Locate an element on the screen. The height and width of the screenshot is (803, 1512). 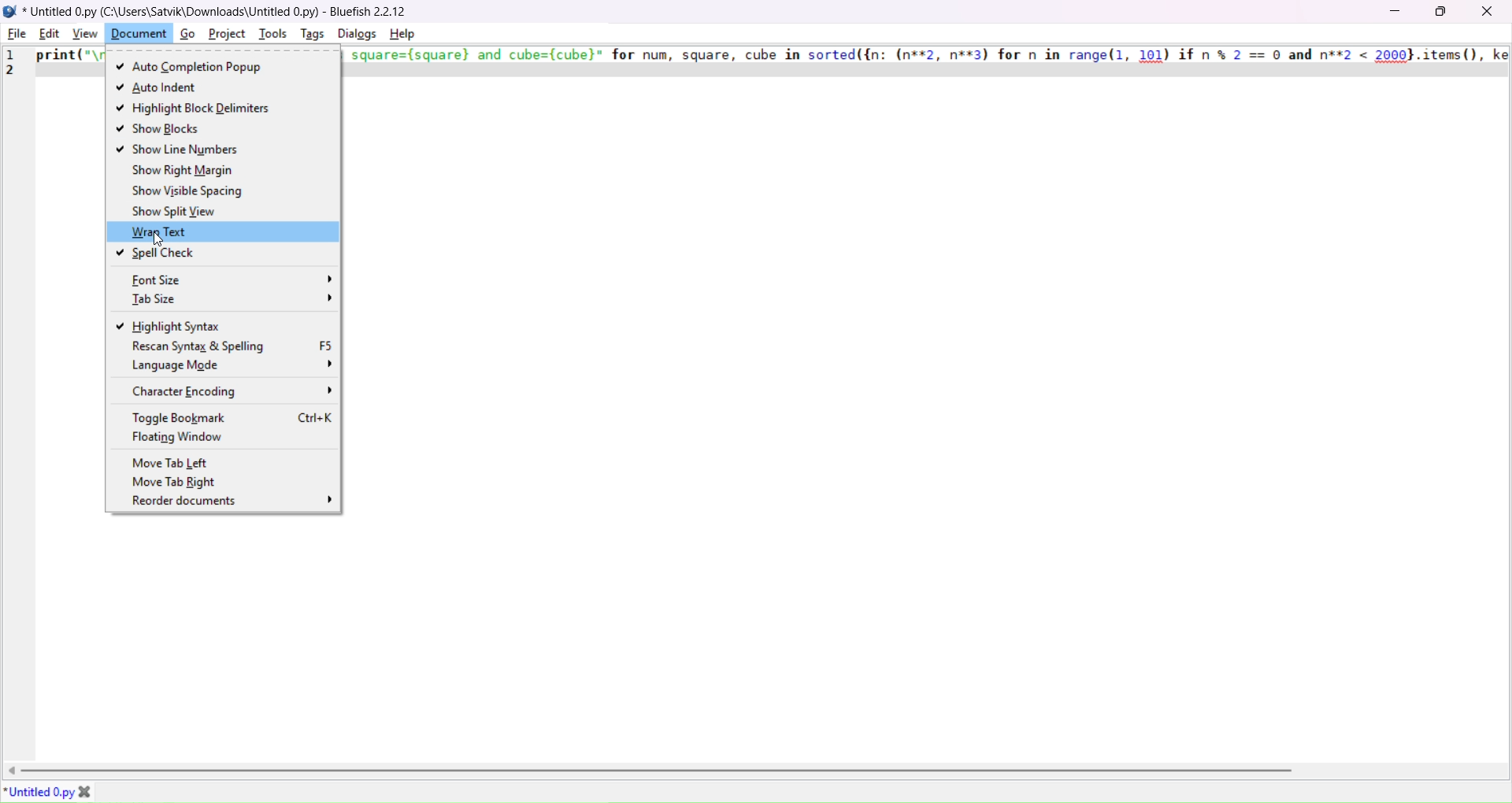
highlight syntax is located at coordinates (169, 326).